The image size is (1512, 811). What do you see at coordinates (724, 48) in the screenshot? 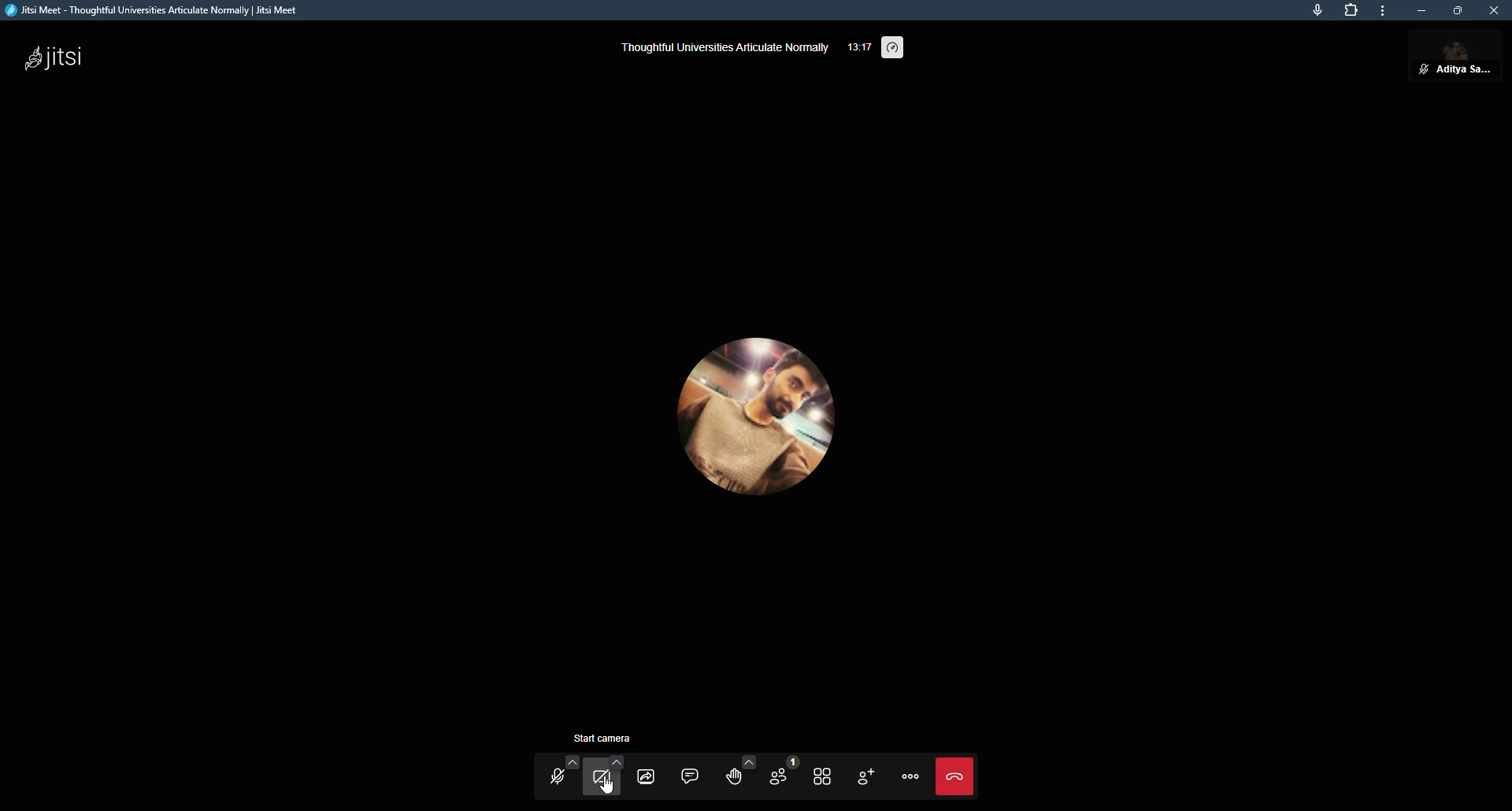
I see `thoughtful universities articulate normally` at bounding box center [724, 48].